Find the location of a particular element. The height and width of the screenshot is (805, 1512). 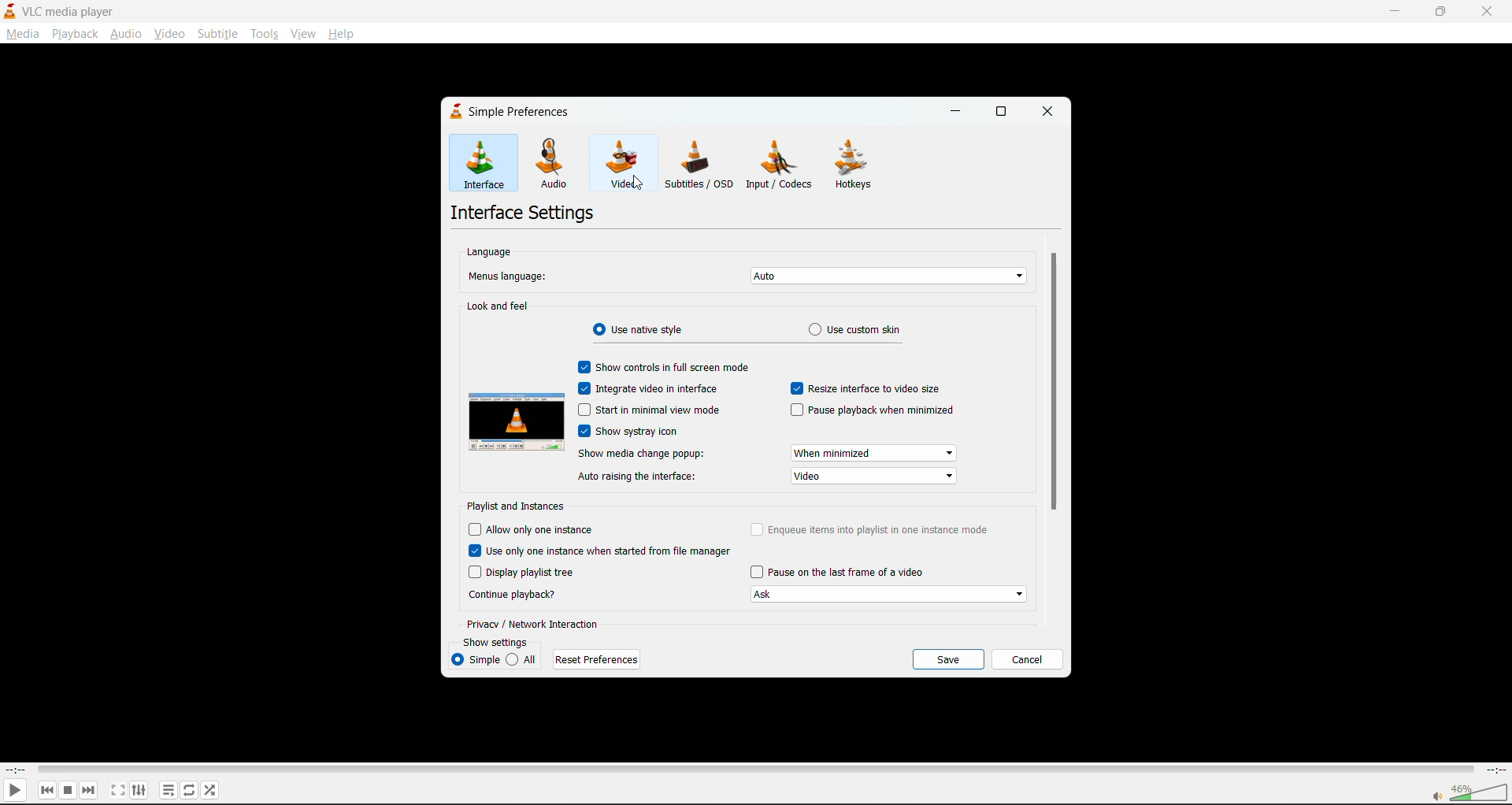

vertical scroll bar is located at coordinates (1056, 387).